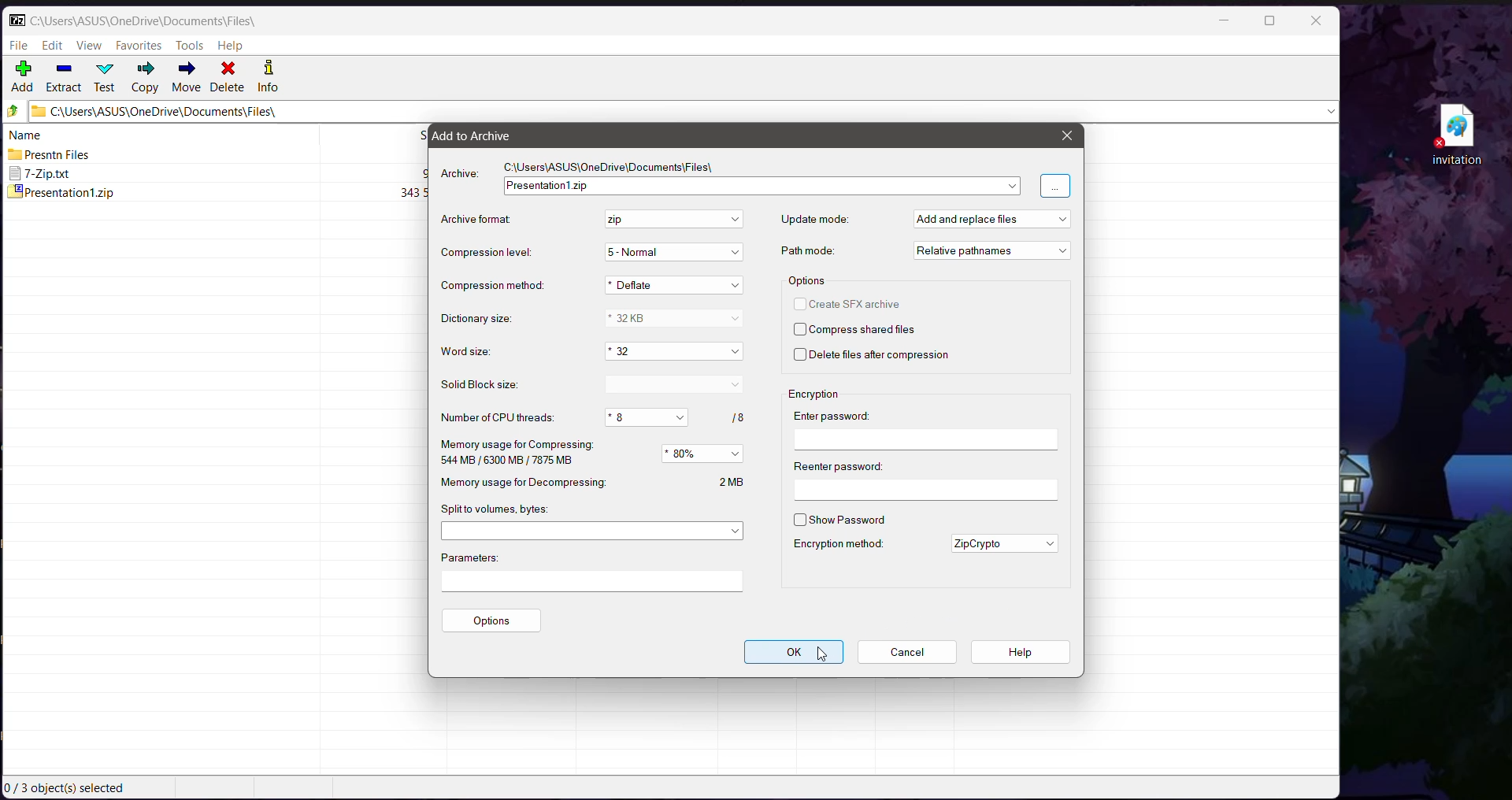 The height and width of the screenshot is (800, 1512). I want to click on Archive Format, so click(484, 220).